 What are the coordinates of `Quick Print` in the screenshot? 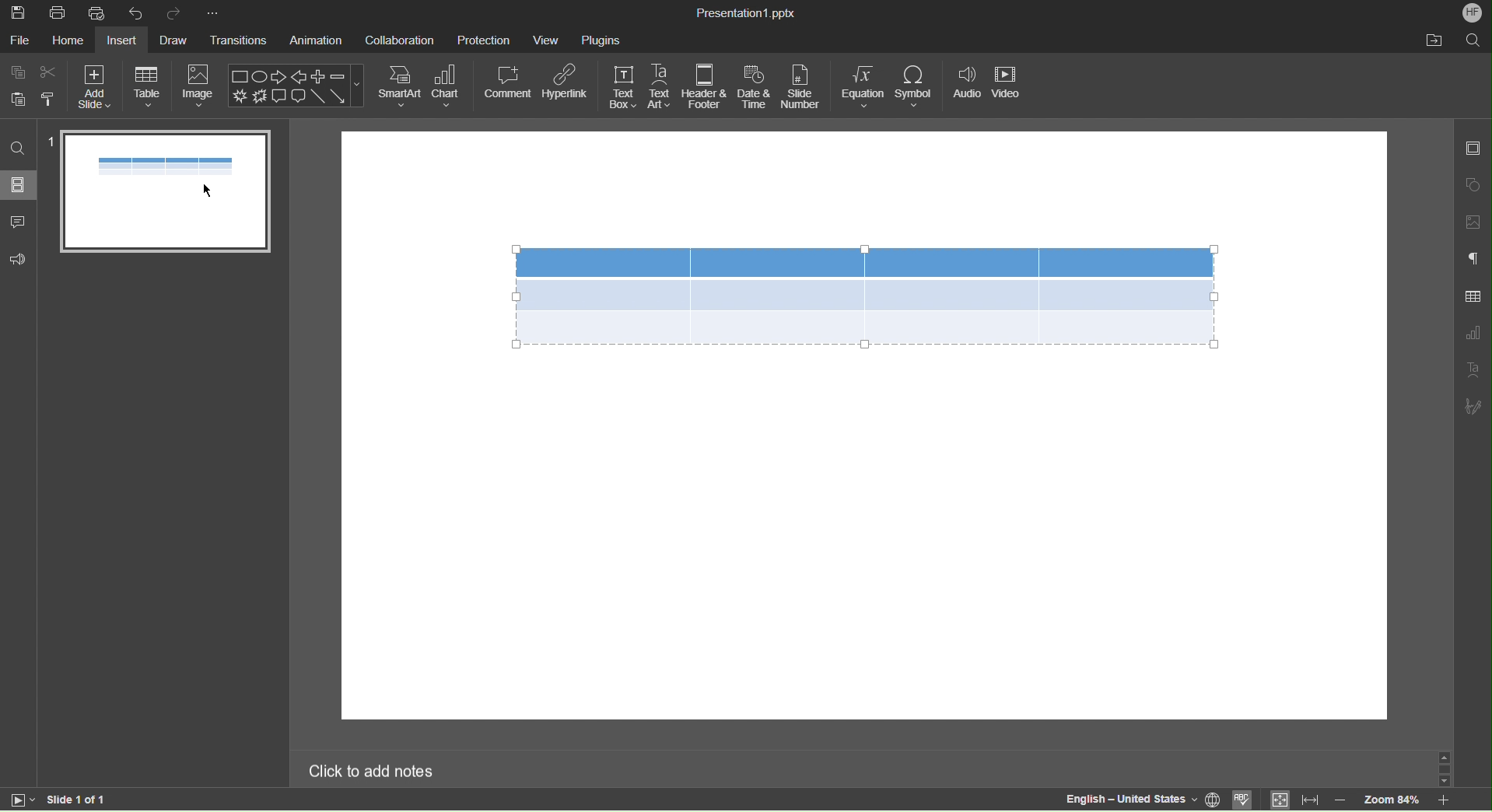 It's located at (100, 12).